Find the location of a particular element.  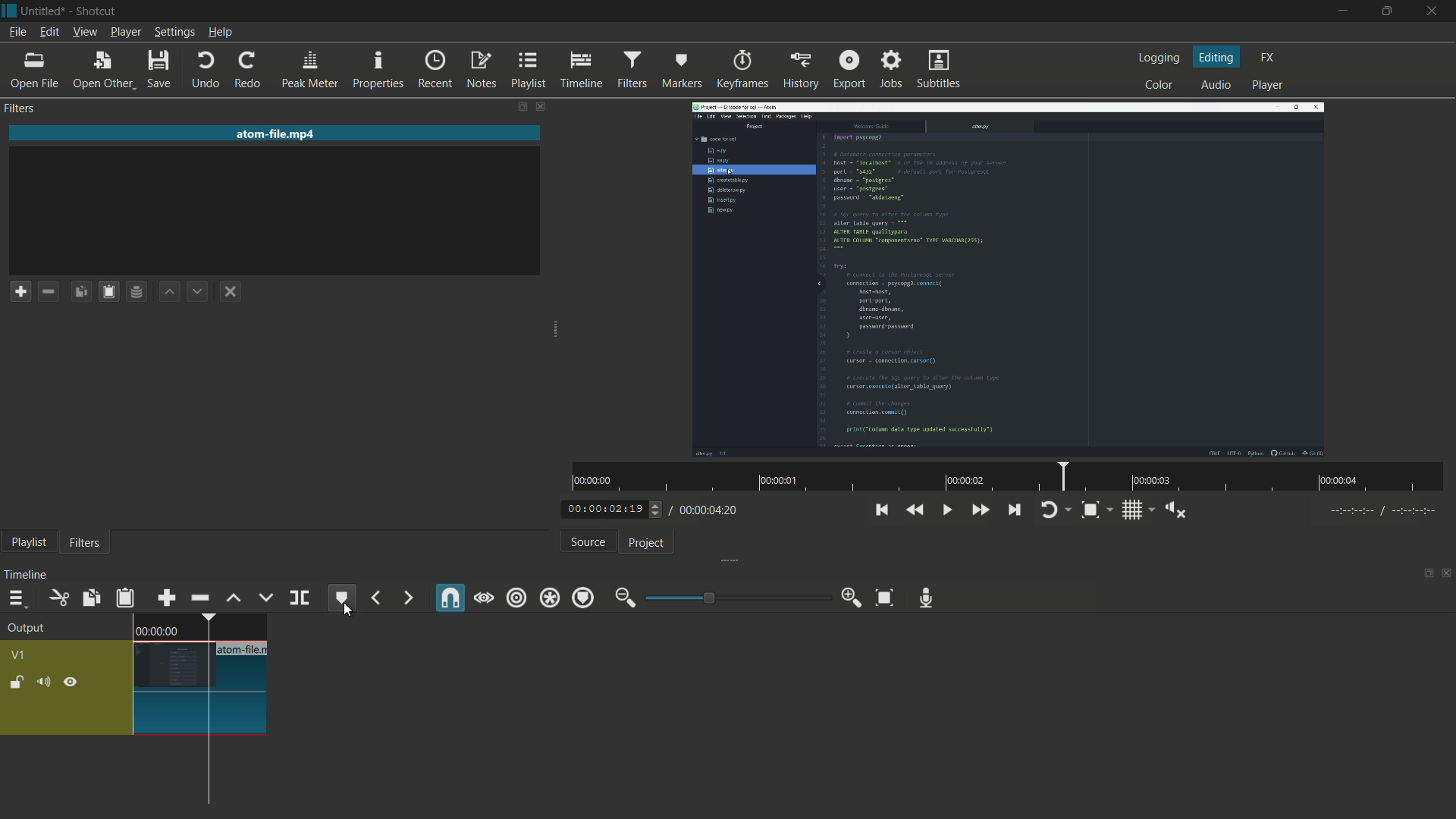

lift is located at coordinates (231, 598).